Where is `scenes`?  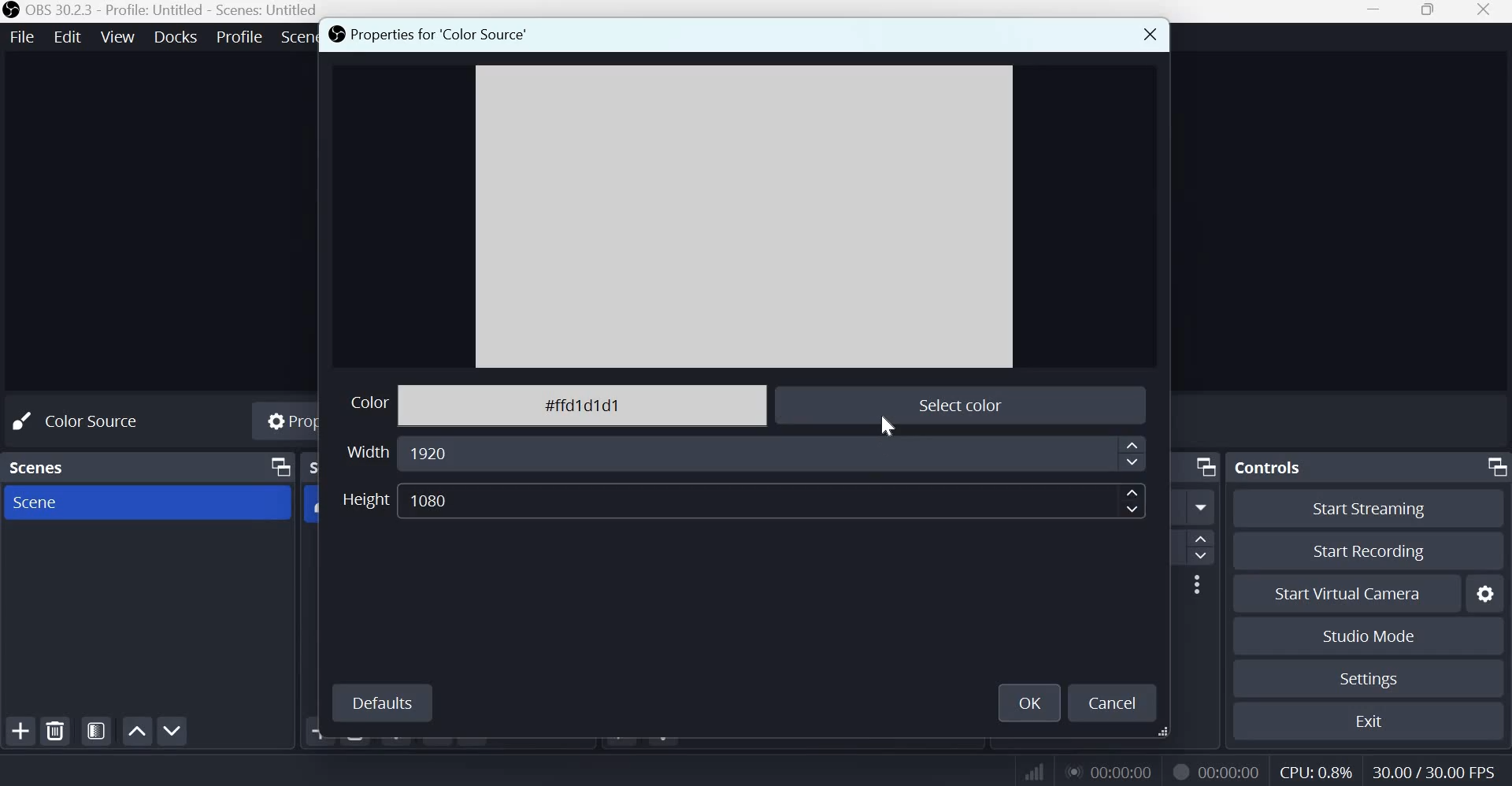
scenes is located at coordinates (40, 465).